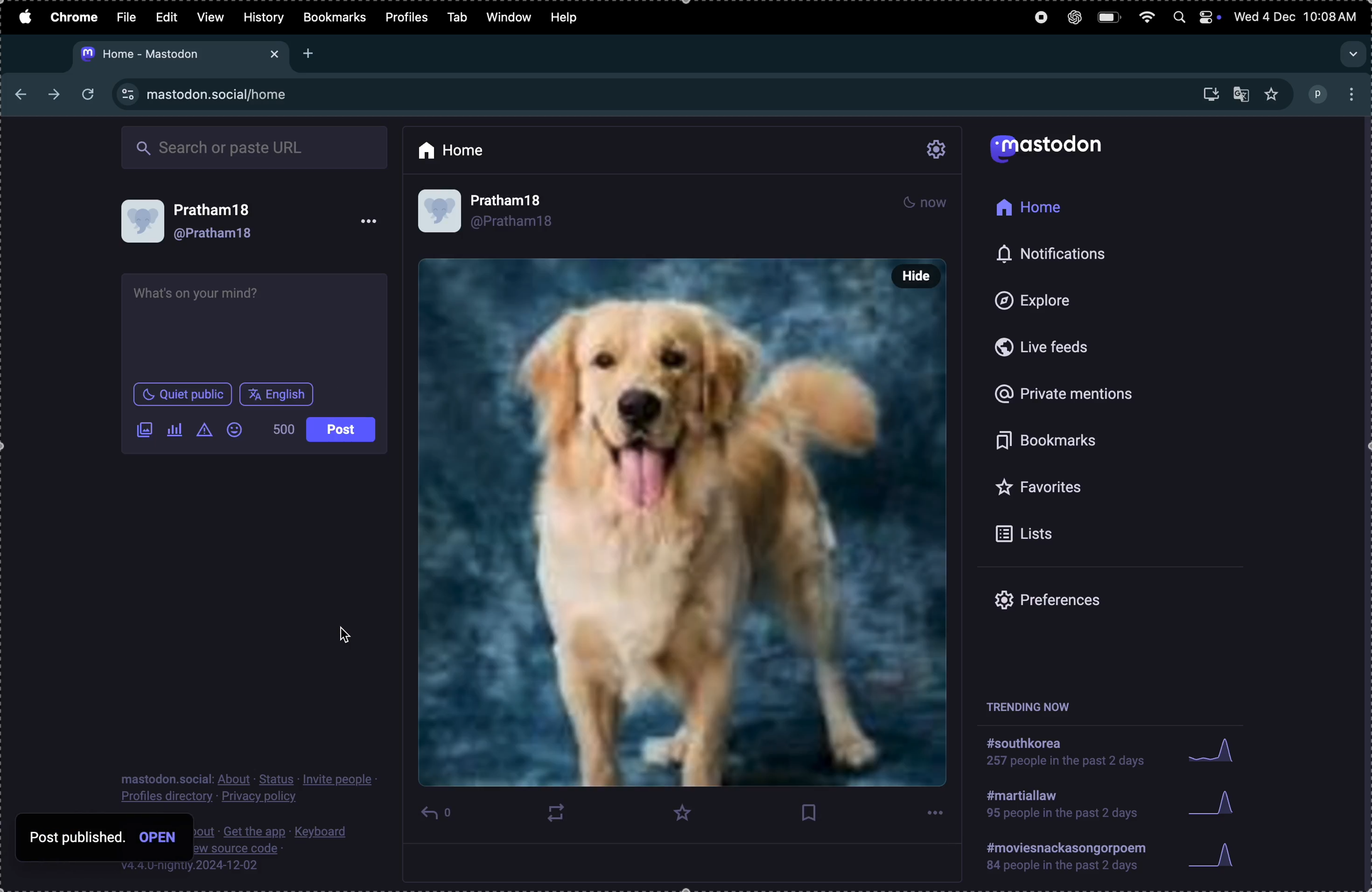  Describe the element at coordinates (1063, 860) in the screenshot. I see `#moviessancforpoem` at that location.